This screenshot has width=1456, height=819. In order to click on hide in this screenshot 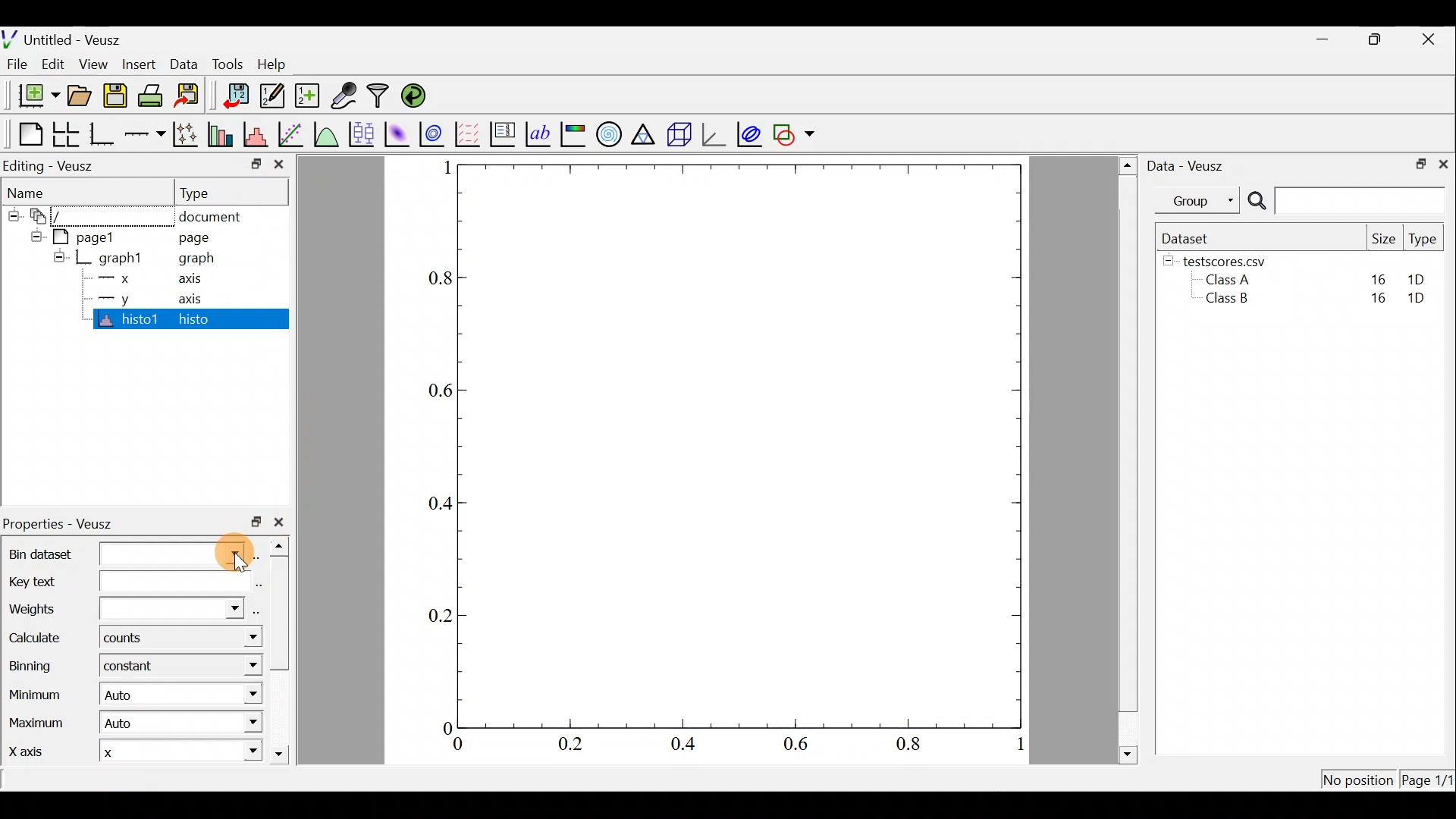, I will do `click(13, 216)`.